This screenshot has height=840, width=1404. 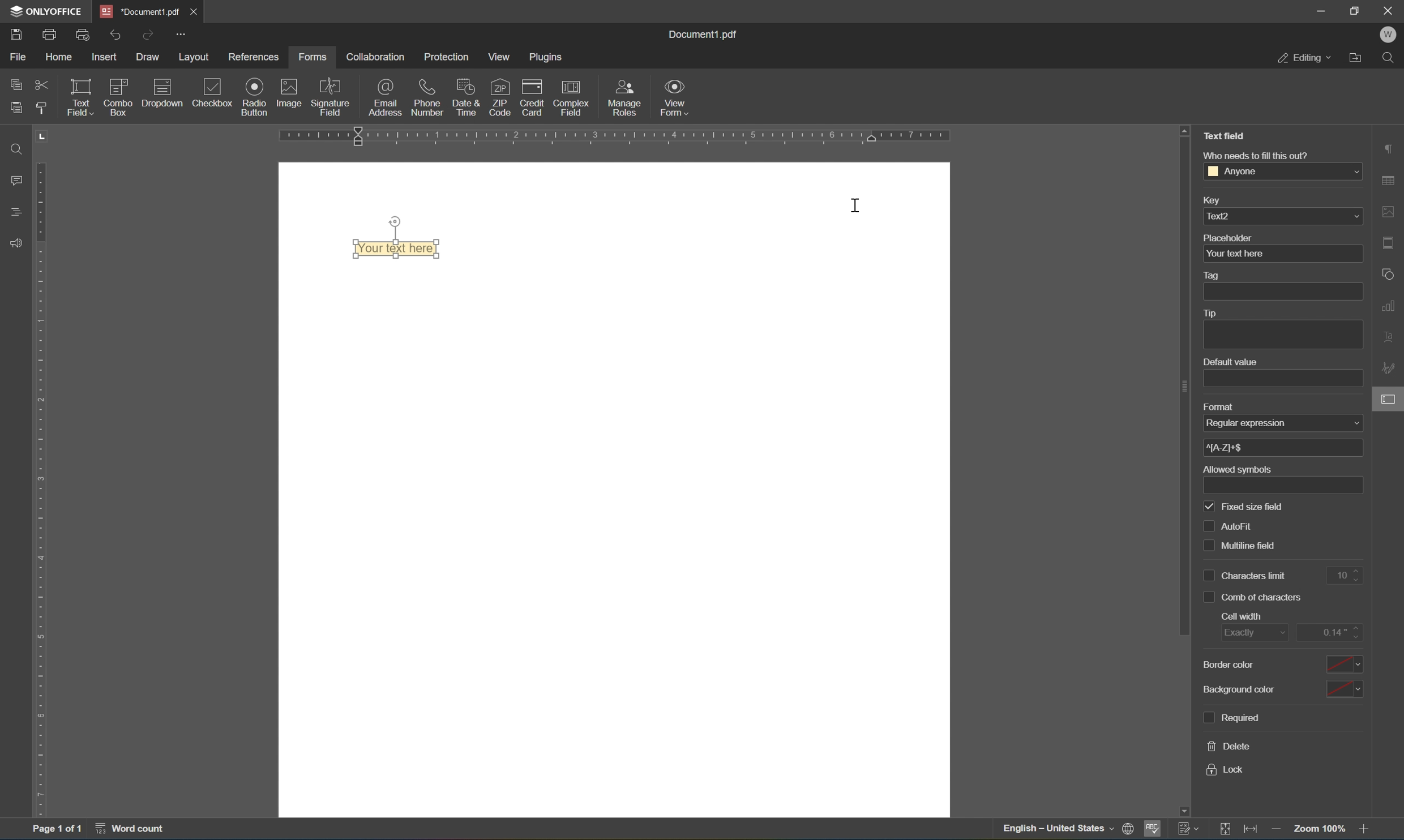 I want to click on headings, so click(x=11, y=211).